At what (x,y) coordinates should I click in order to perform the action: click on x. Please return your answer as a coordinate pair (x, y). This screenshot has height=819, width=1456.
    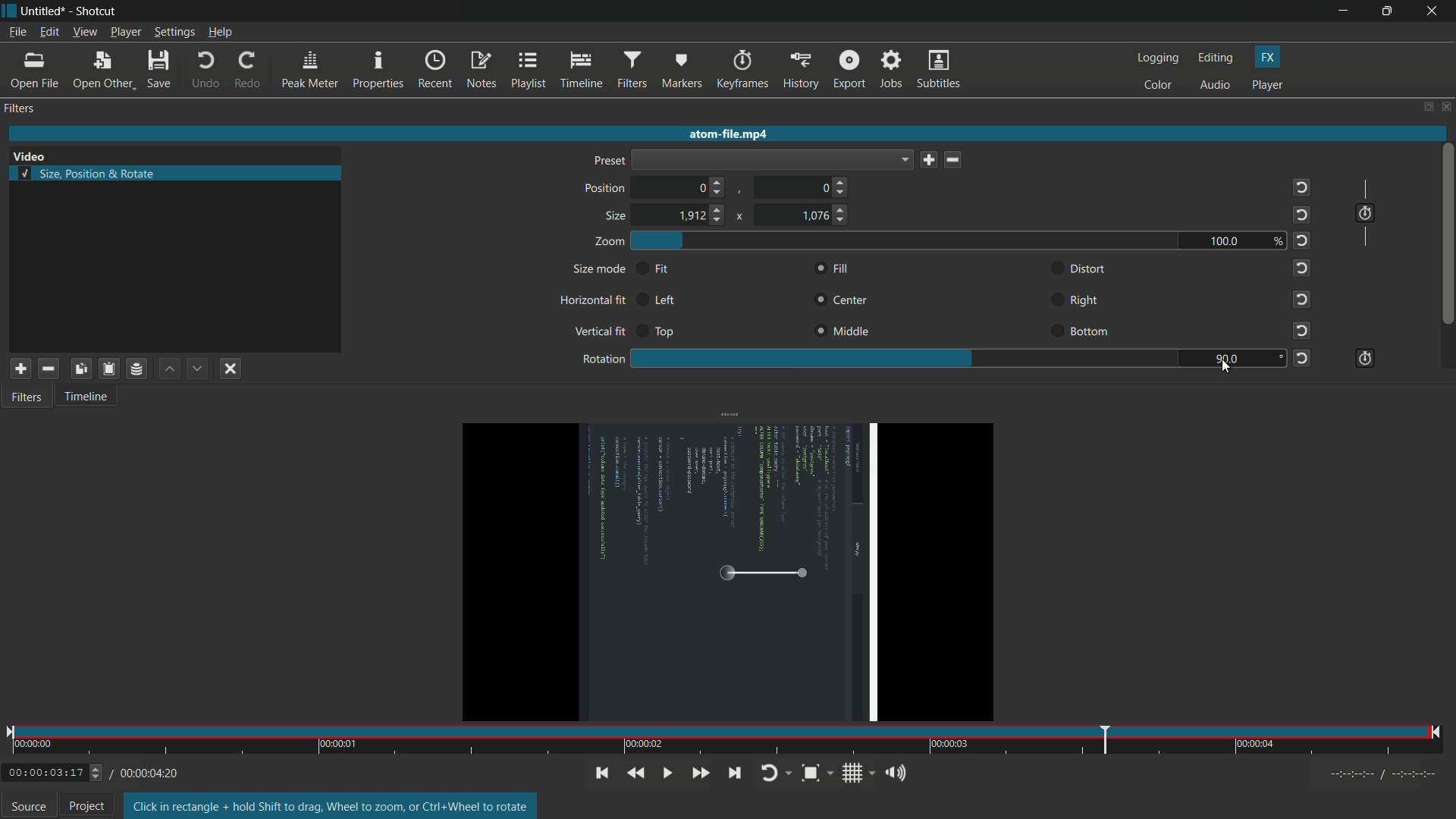
    Looking at the image, I should click on (742, 217).